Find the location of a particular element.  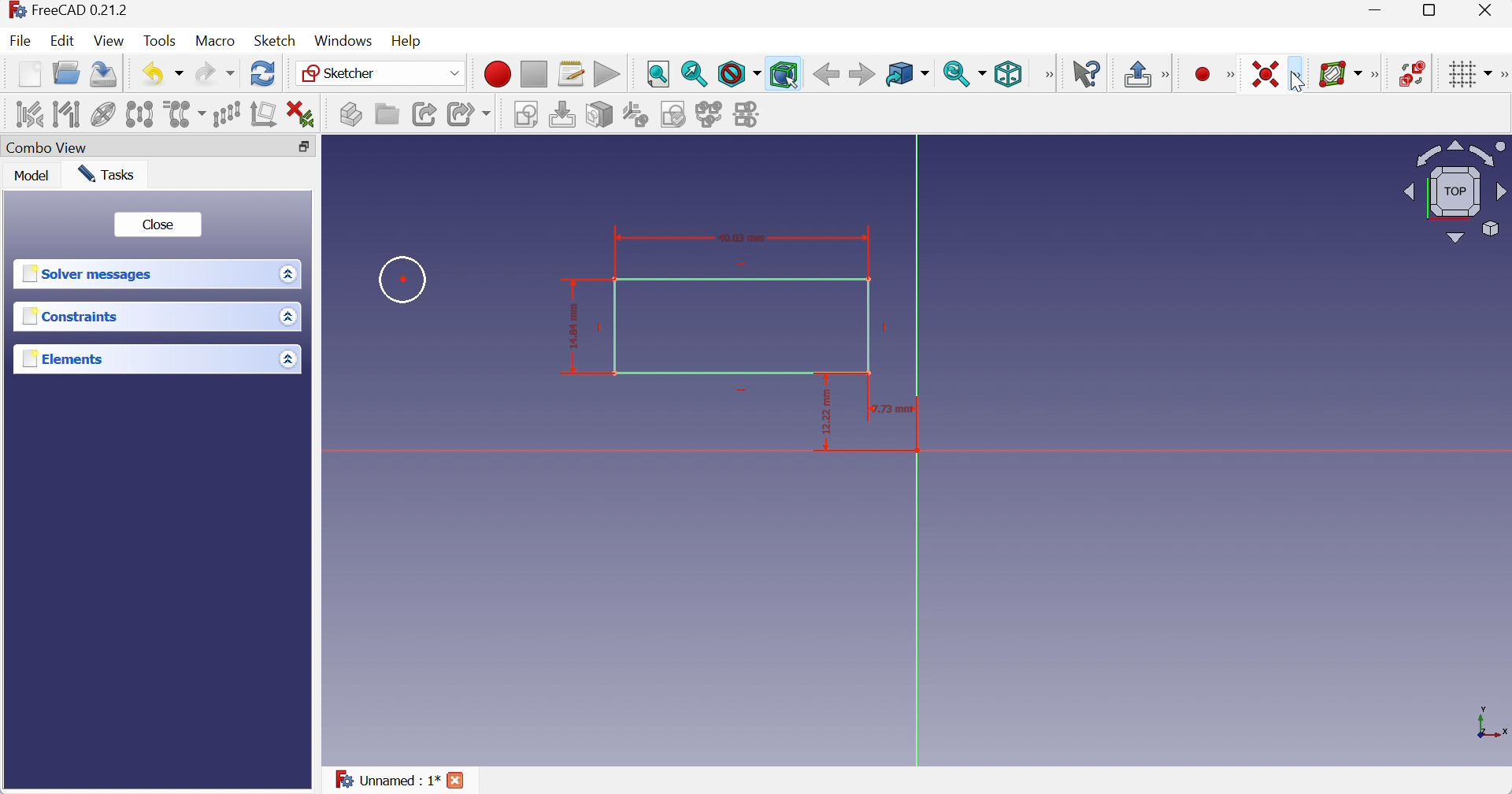

Solver messages is located at coordinates (90, 273).